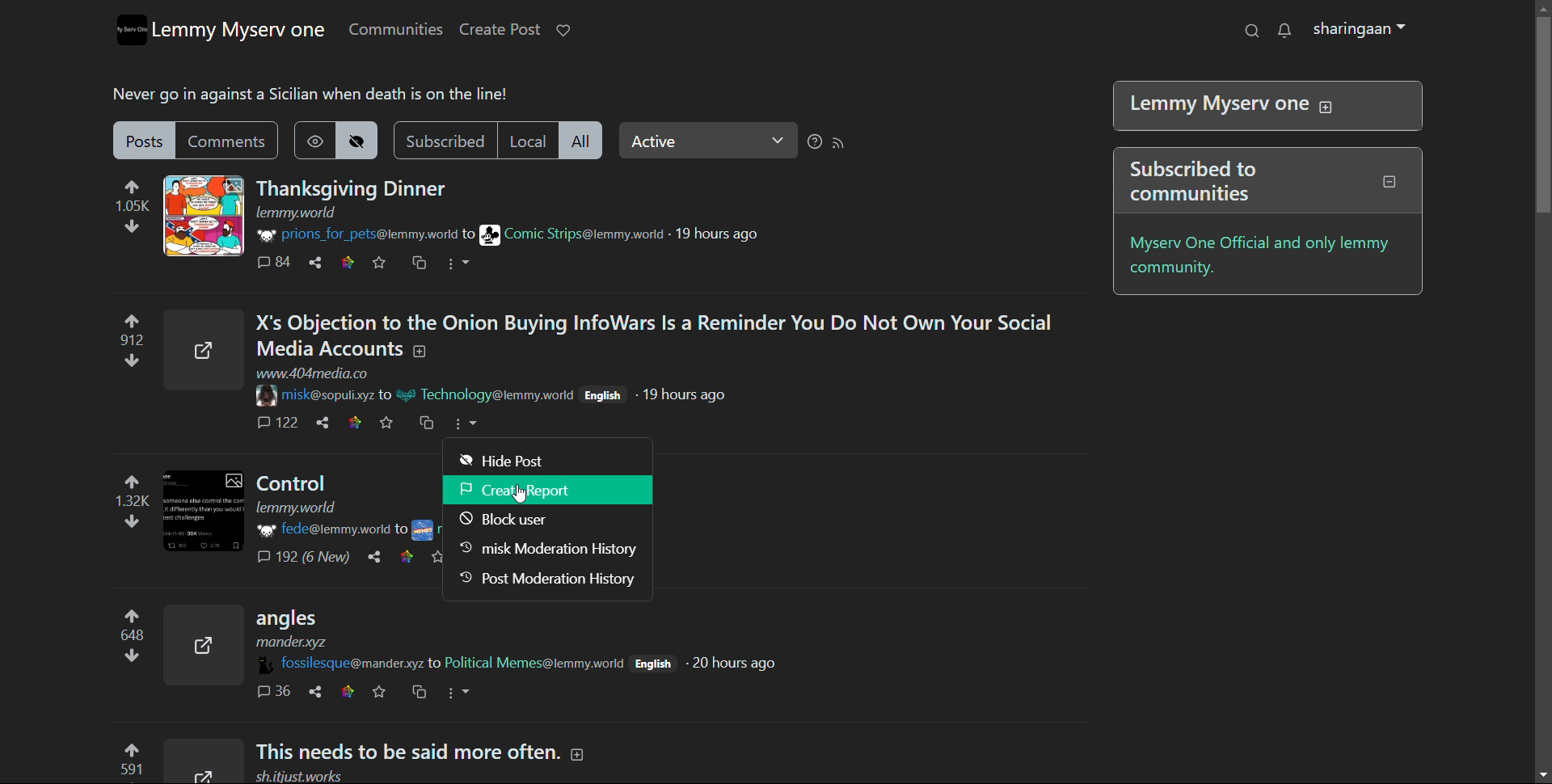 The image size is (1552, 784). What do you see at coordinates (395, 29) in the screenshot?
I see `communities` at bounding box center [395, 29].